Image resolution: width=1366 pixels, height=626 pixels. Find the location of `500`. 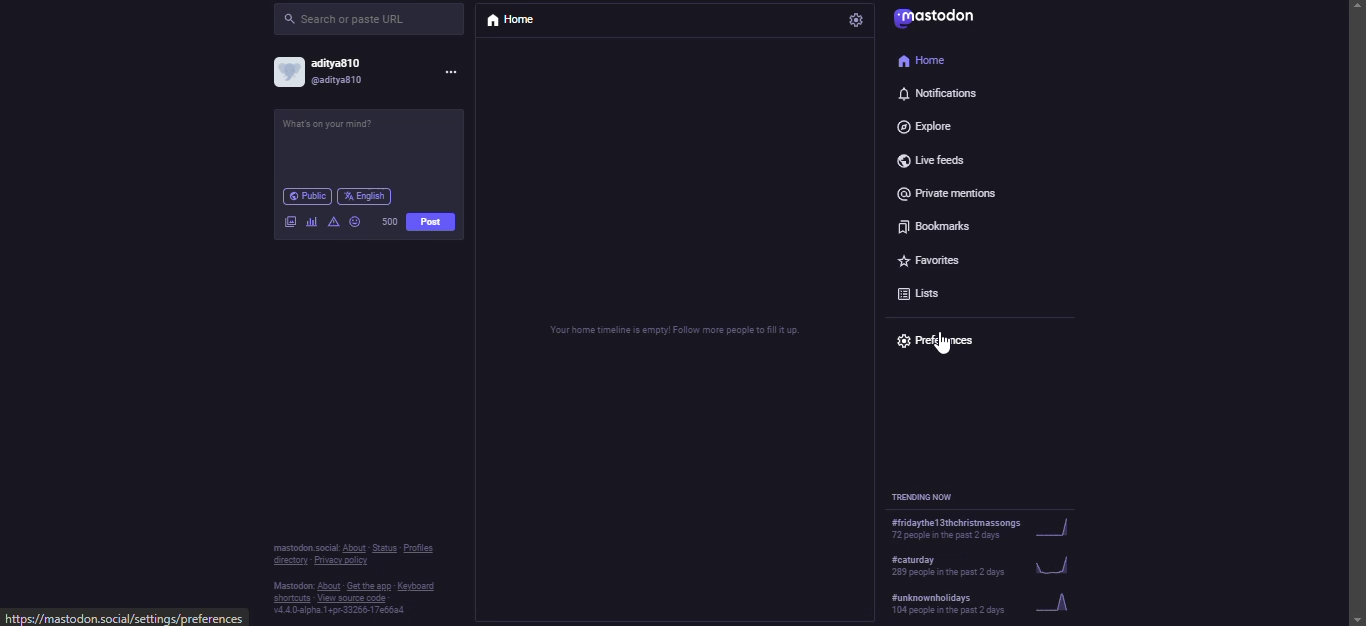

500 is located at coordinates (391, 220).